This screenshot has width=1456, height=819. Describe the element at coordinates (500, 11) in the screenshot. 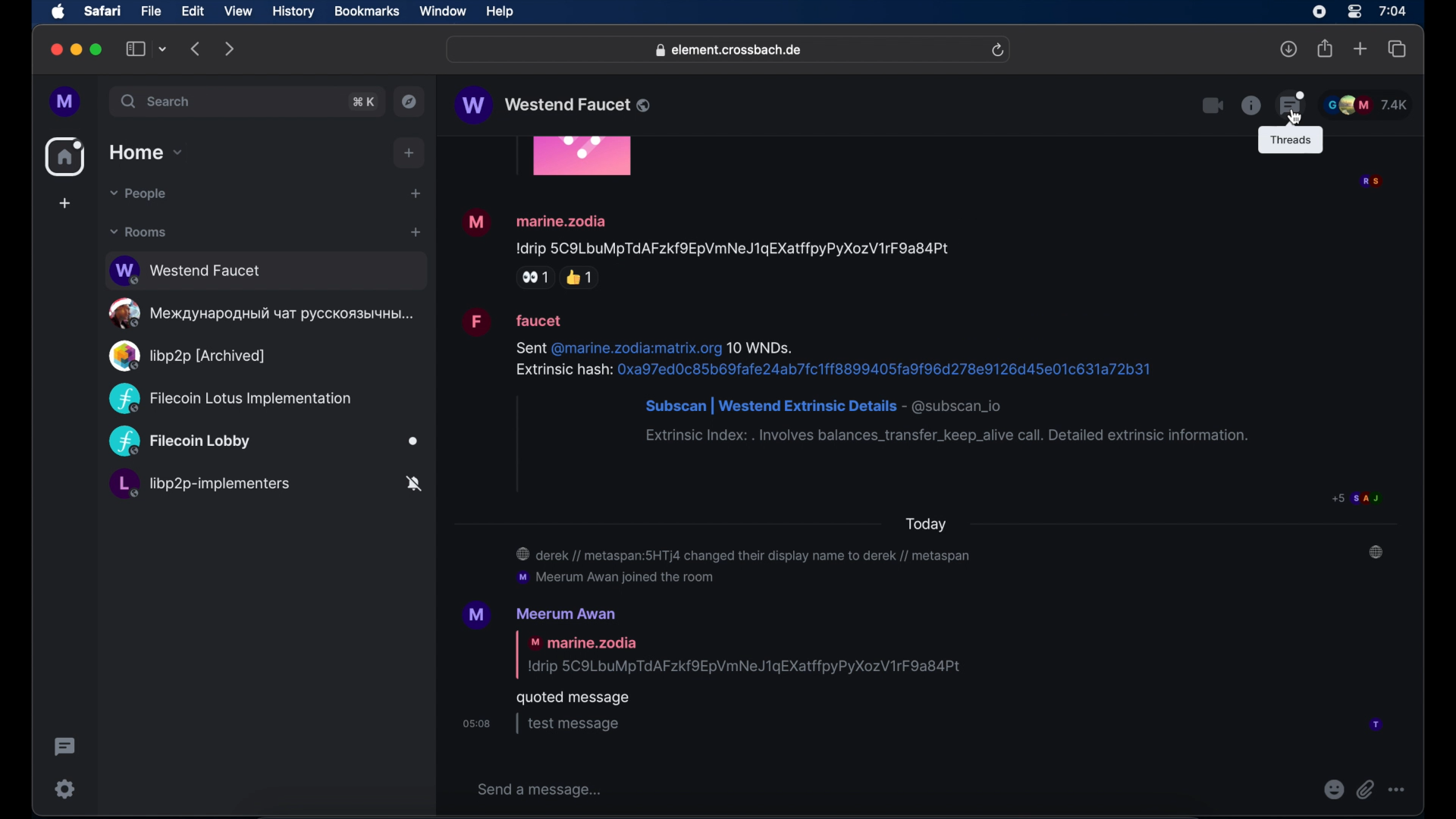

I see `help` at that location.